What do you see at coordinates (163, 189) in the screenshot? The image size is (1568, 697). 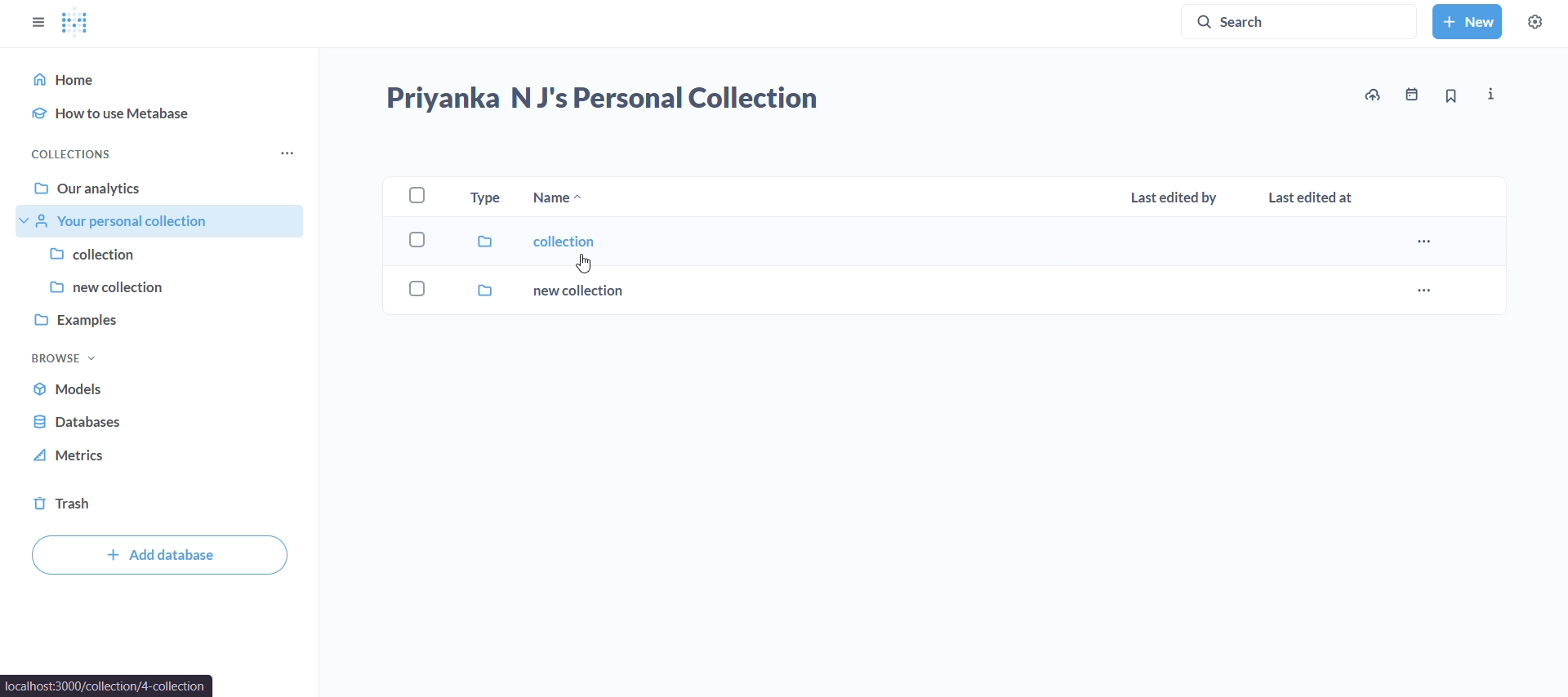 I see `our analytics` at bounding box center [163, 189].